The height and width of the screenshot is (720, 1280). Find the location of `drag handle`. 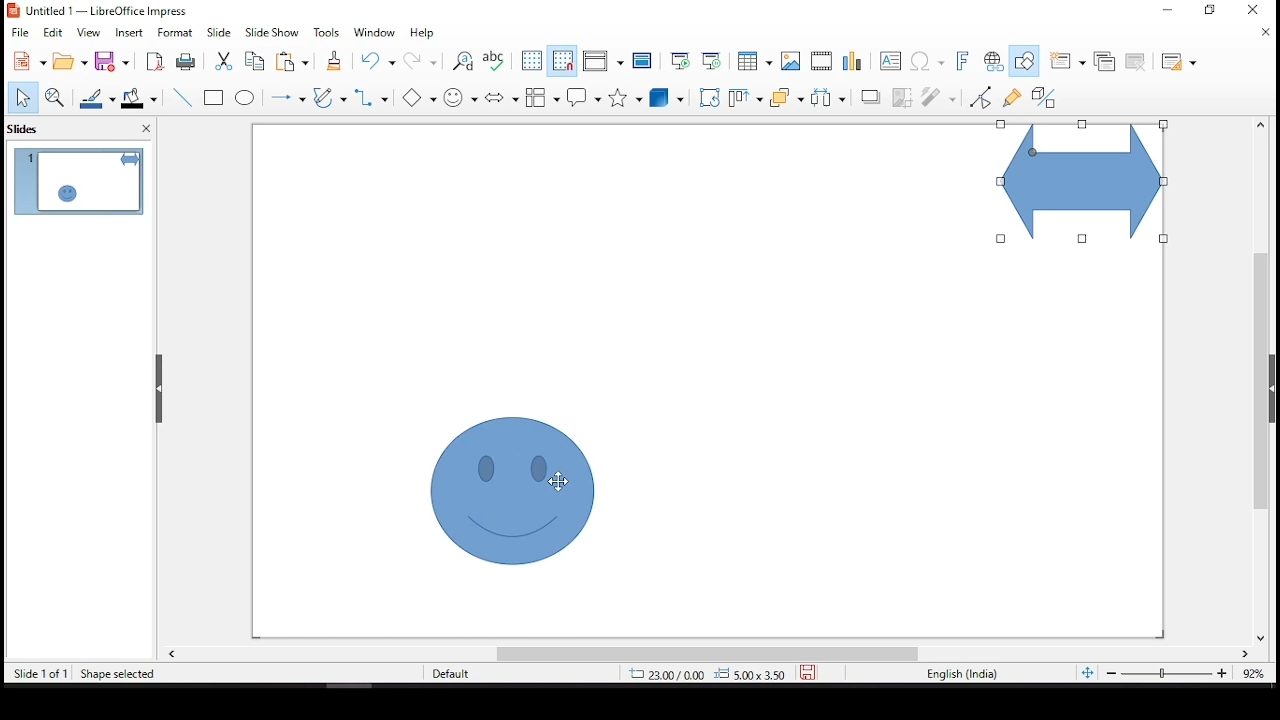

drag handle is located at coordinates (161, 389).